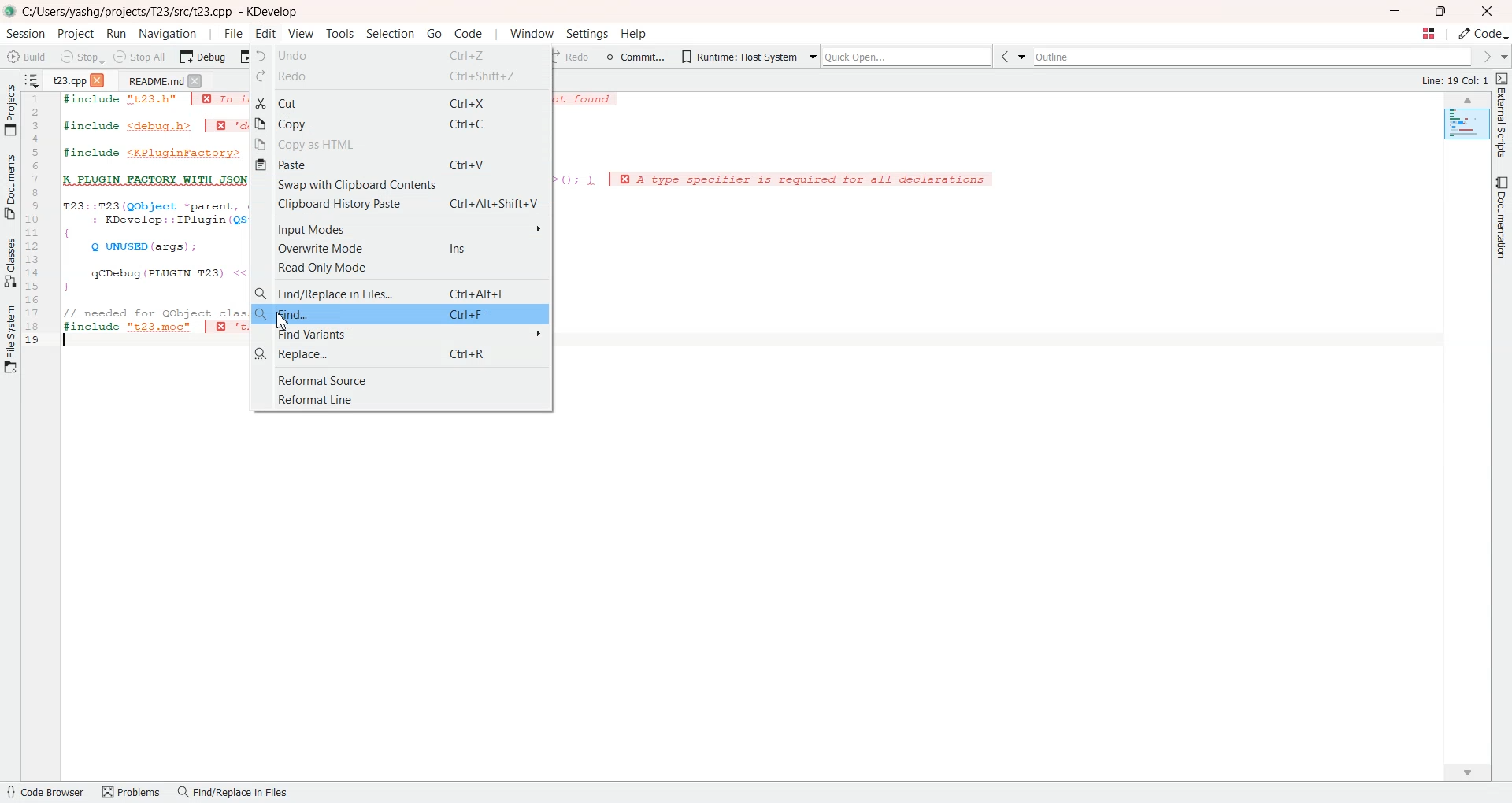 This screenshot has width=1512, height=803. I want to click on Commit, so click(634, 56).